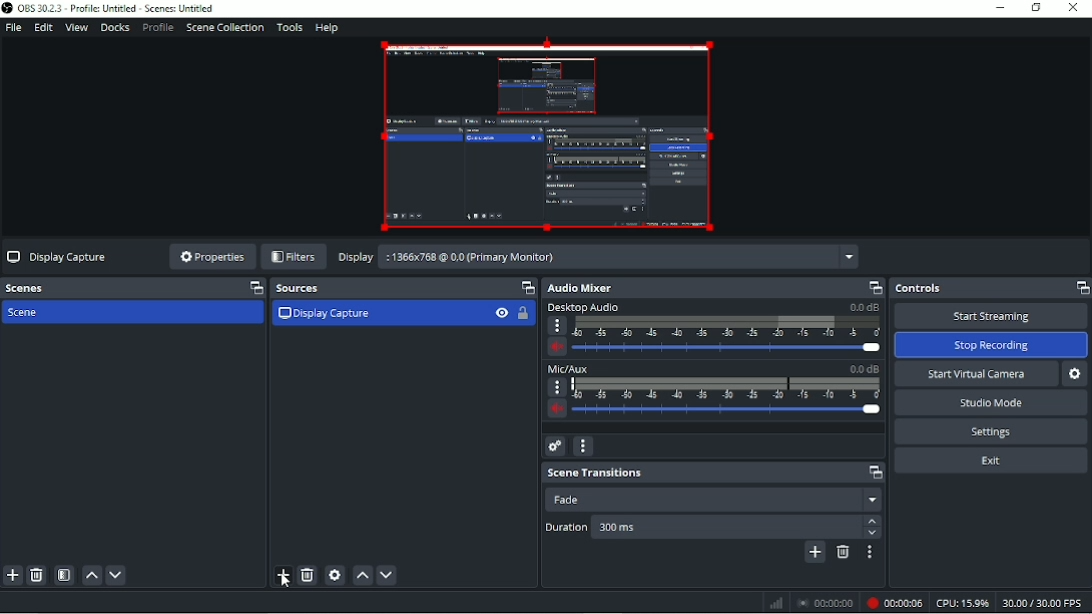 The image size is (1092, 614). I want to click on Restore down, so click(1036, 8).